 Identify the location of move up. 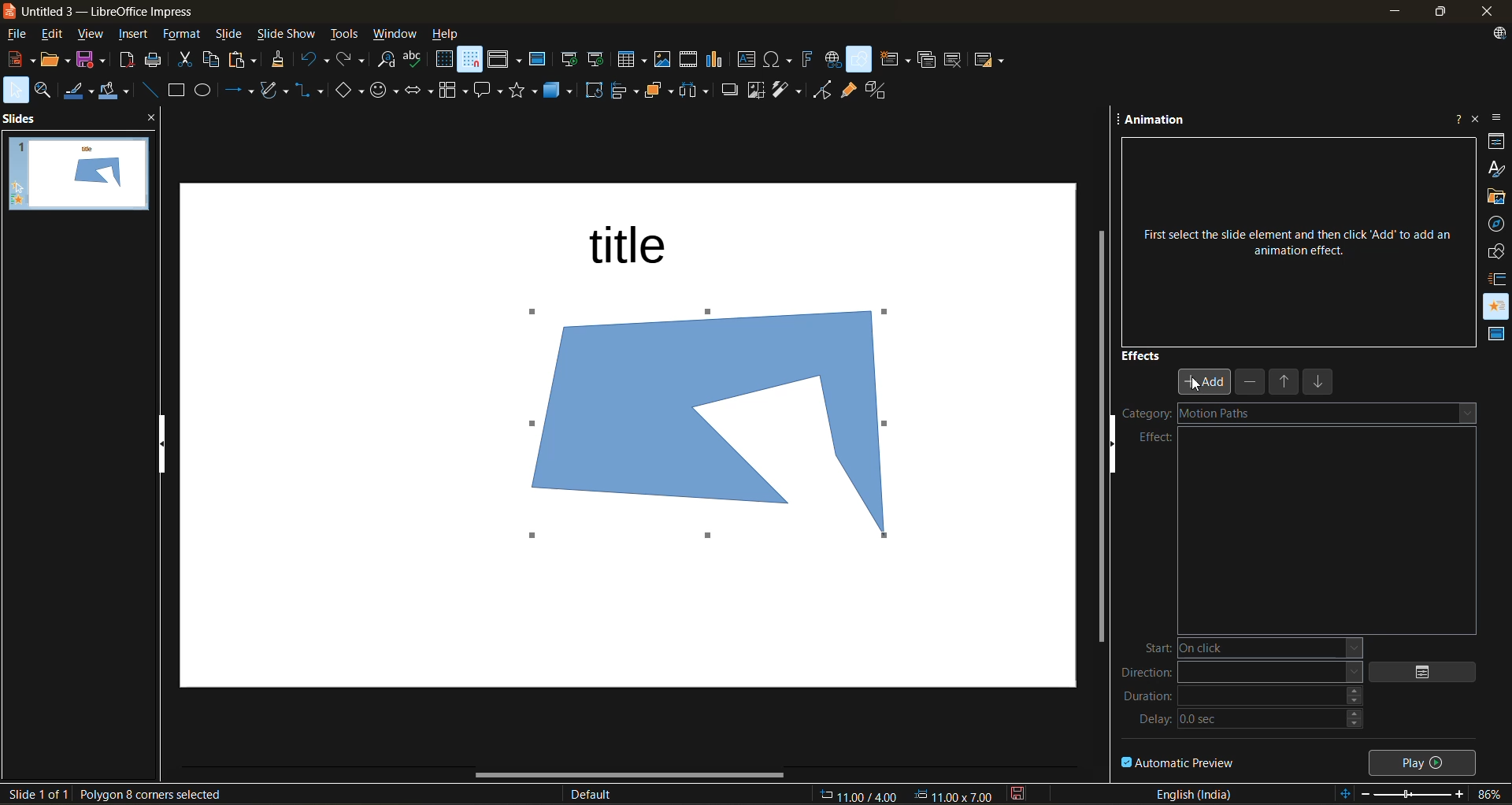
(1288, 383).